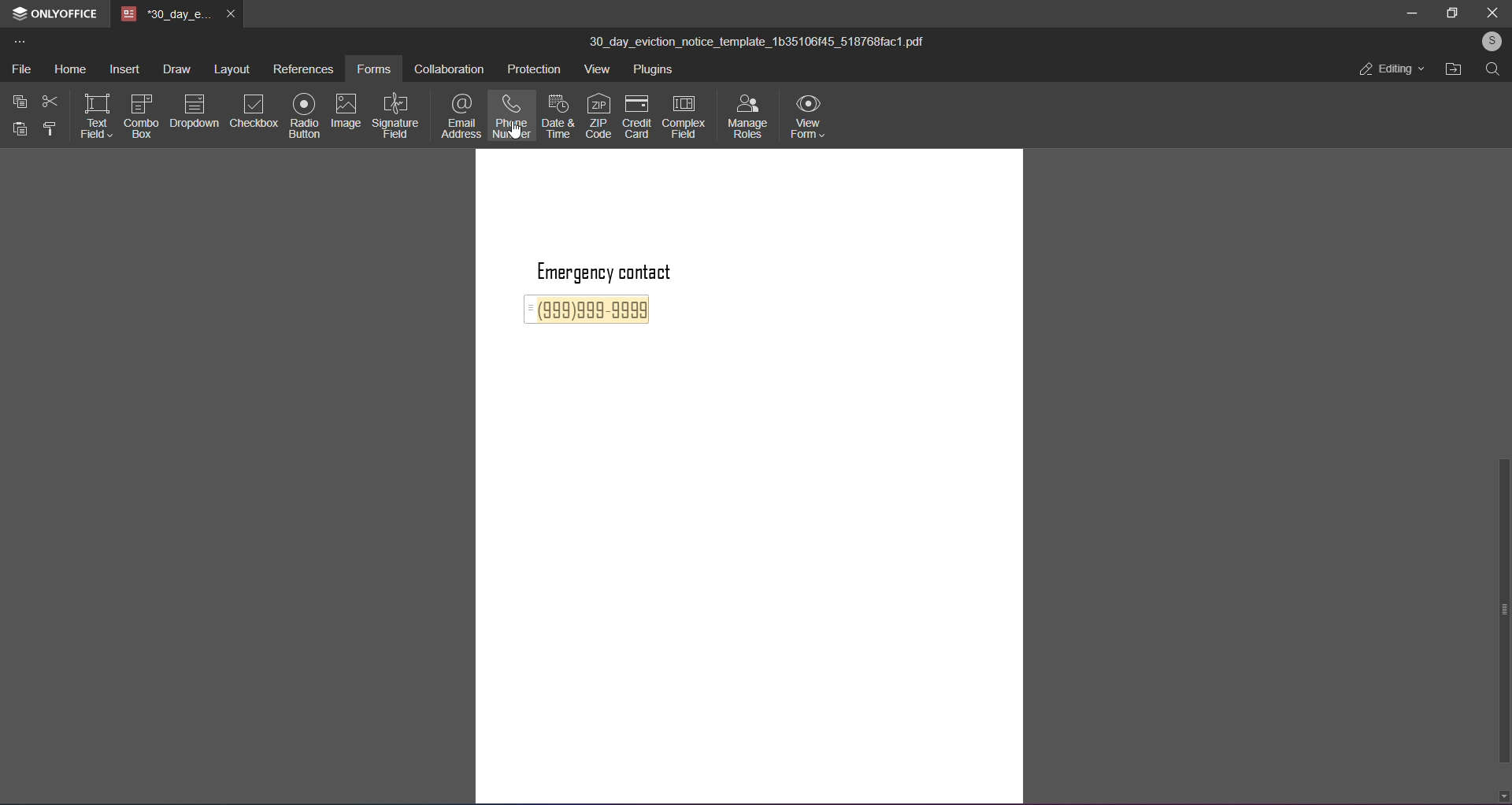 The width and height of the screenshot is (1512, 805). What do you see at coordinates (1503, 794) in the screenshot?
I see `down` at bounding box center [1503, 794].